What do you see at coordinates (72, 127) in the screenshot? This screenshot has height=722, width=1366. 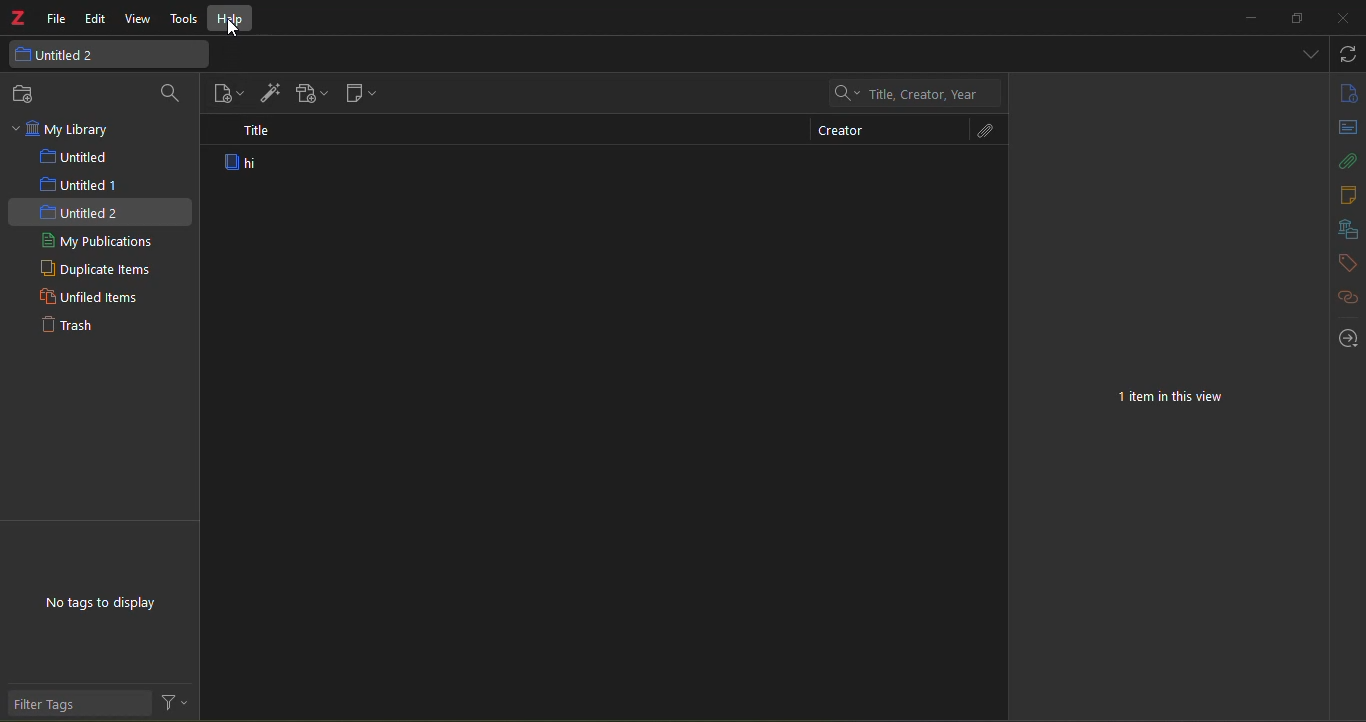 I see `my library` at bounding box center [72, 127].